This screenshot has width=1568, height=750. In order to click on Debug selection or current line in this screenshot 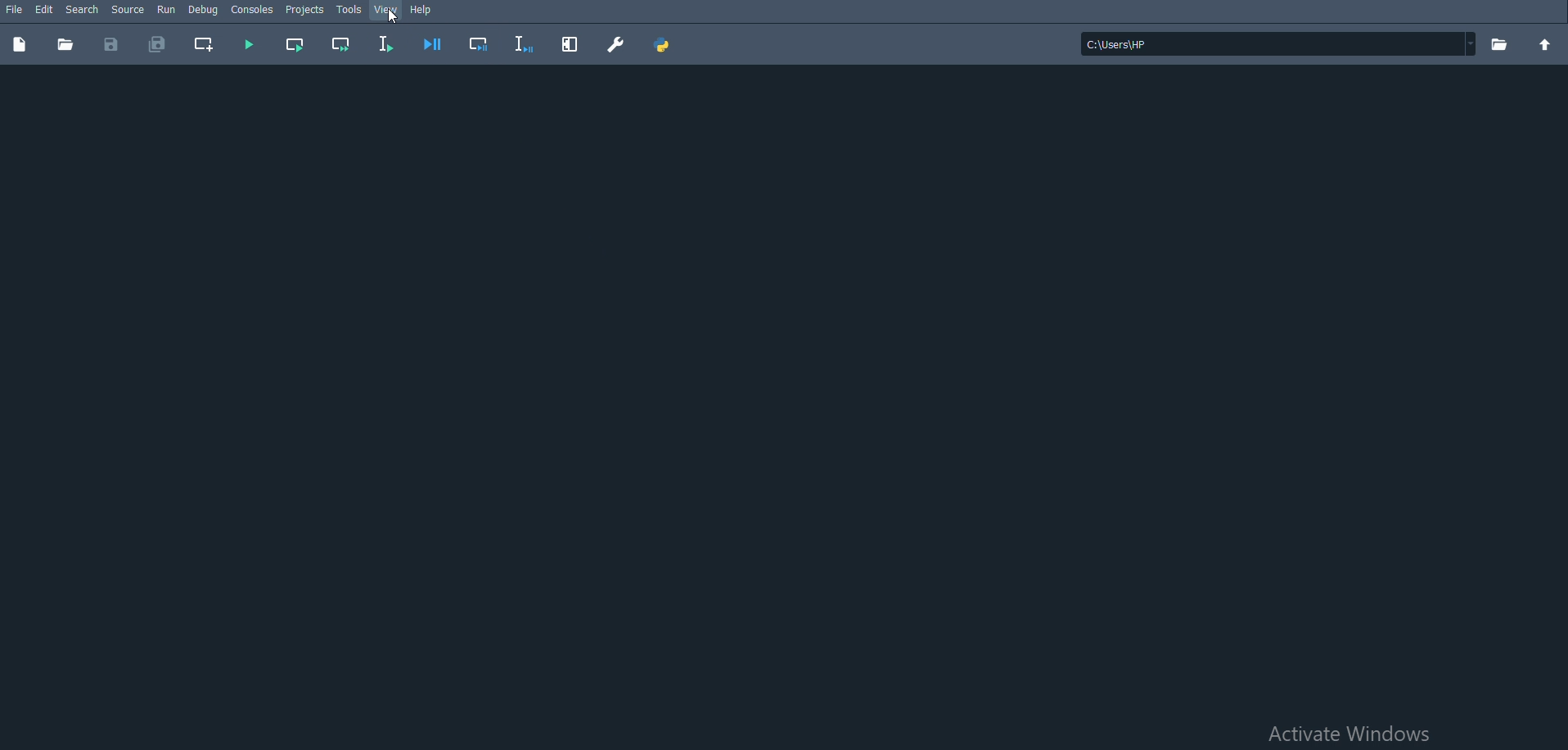, I will do `click(524, 43)`.